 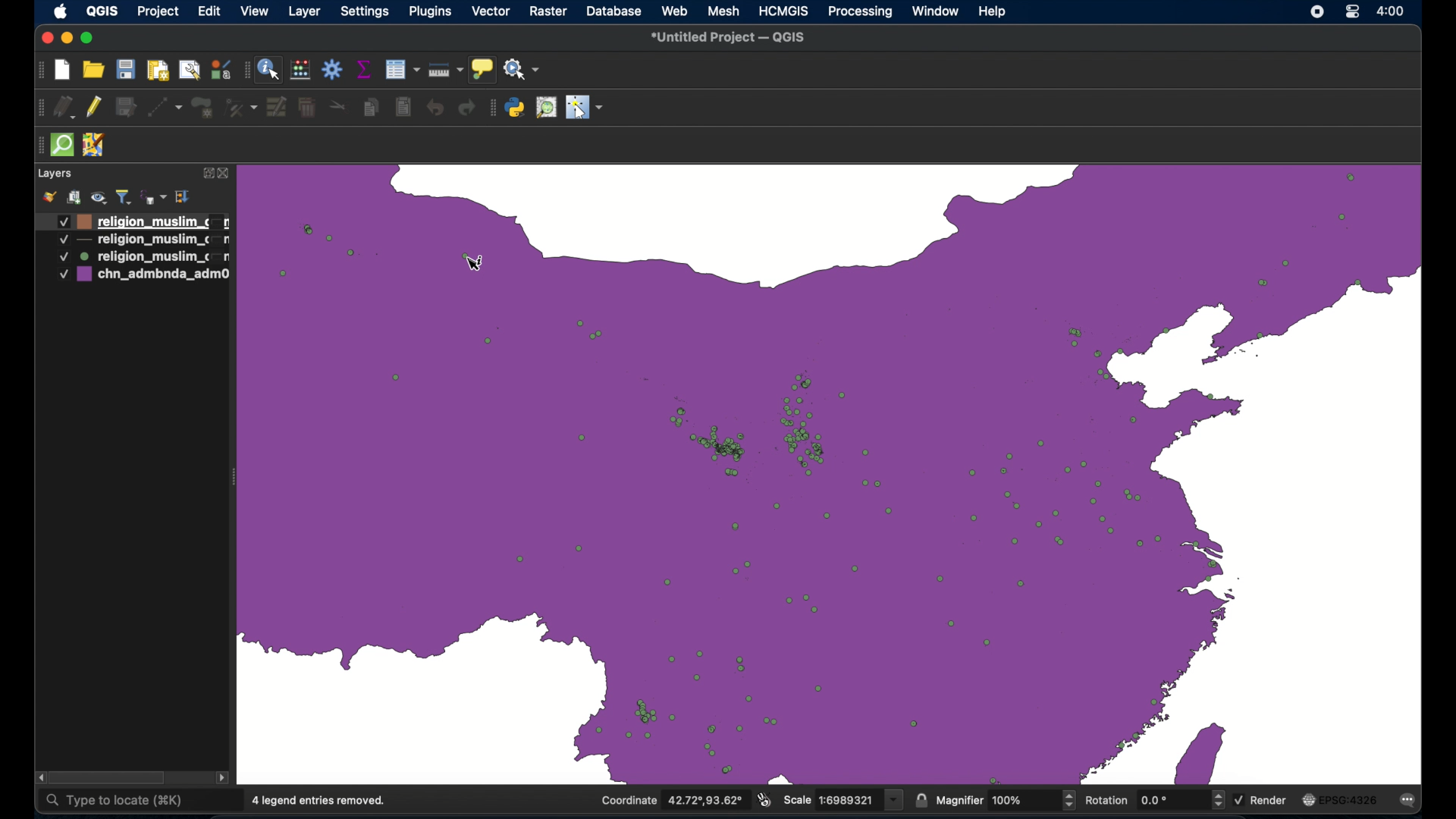 What do you see at coordinates (38, 71) in the screenshot?
I see `project toolbar` at bounding box center [38, 71].